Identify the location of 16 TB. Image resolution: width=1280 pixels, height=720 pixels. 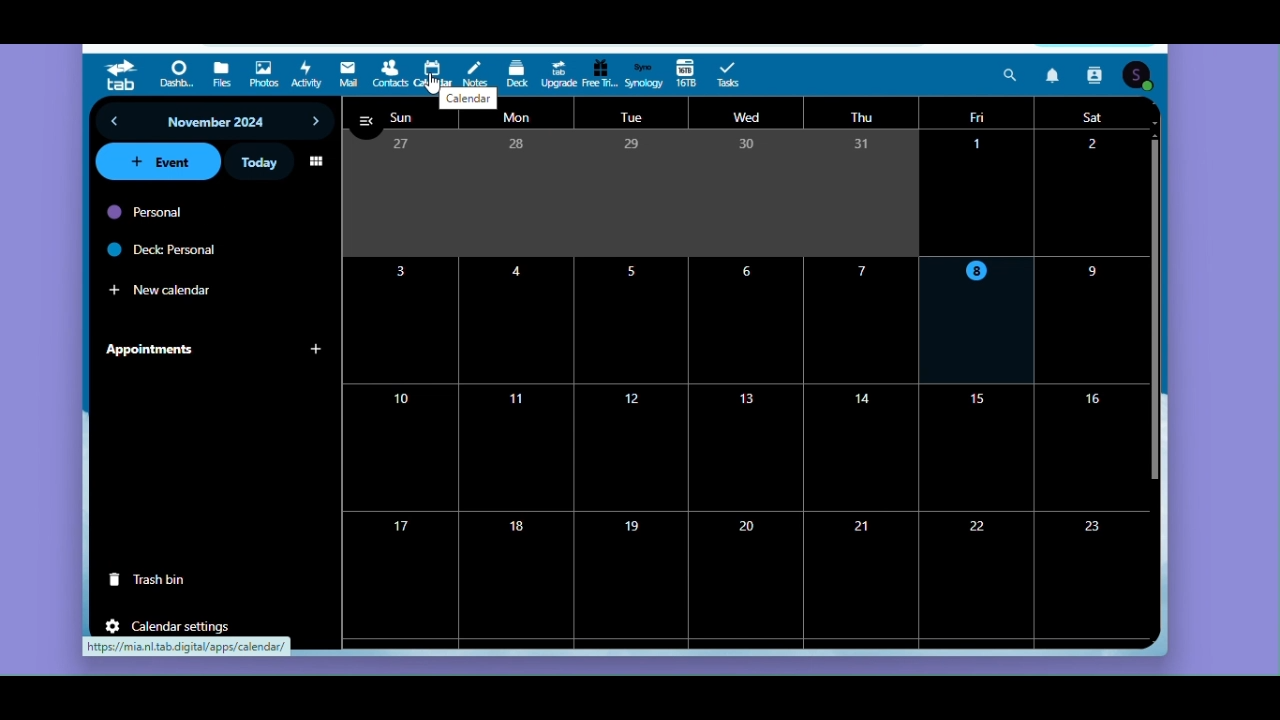
(686, 75).